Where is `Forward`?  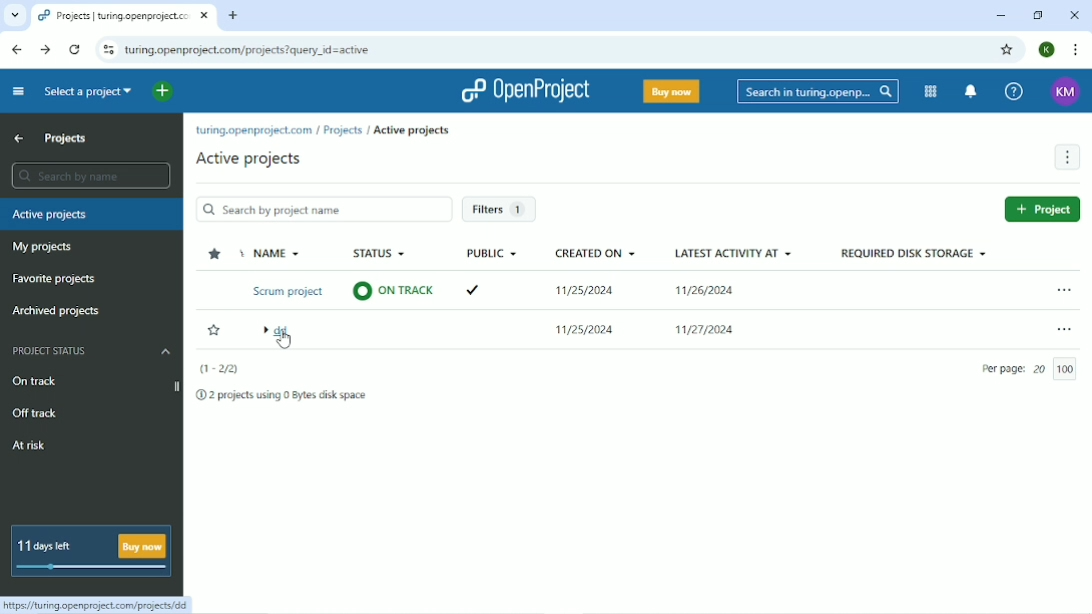 Forward is located at coordinates (45, 49).